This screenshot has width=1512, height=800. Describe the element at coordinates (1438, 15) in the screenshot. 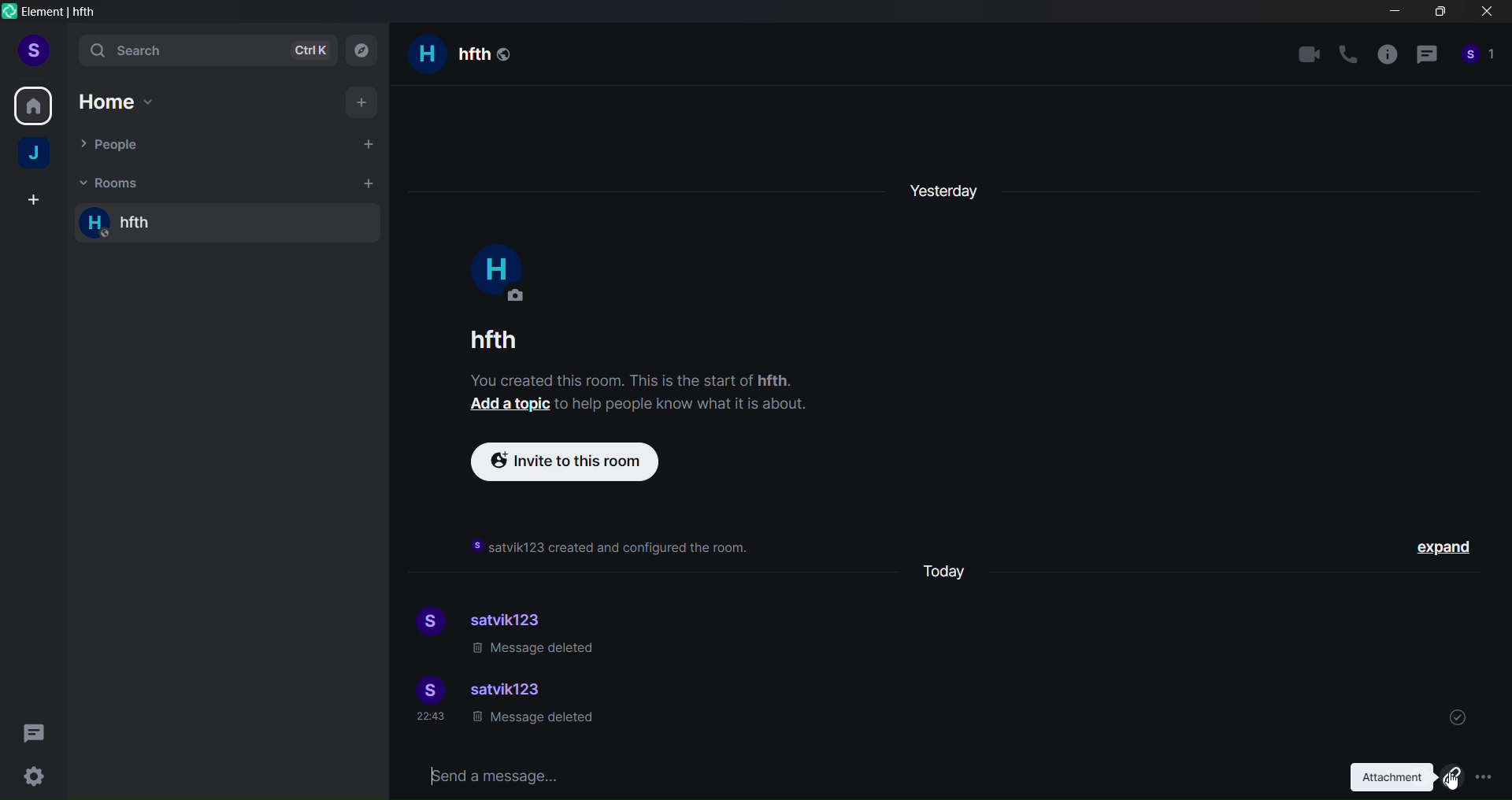

I see `maximize` at that location.